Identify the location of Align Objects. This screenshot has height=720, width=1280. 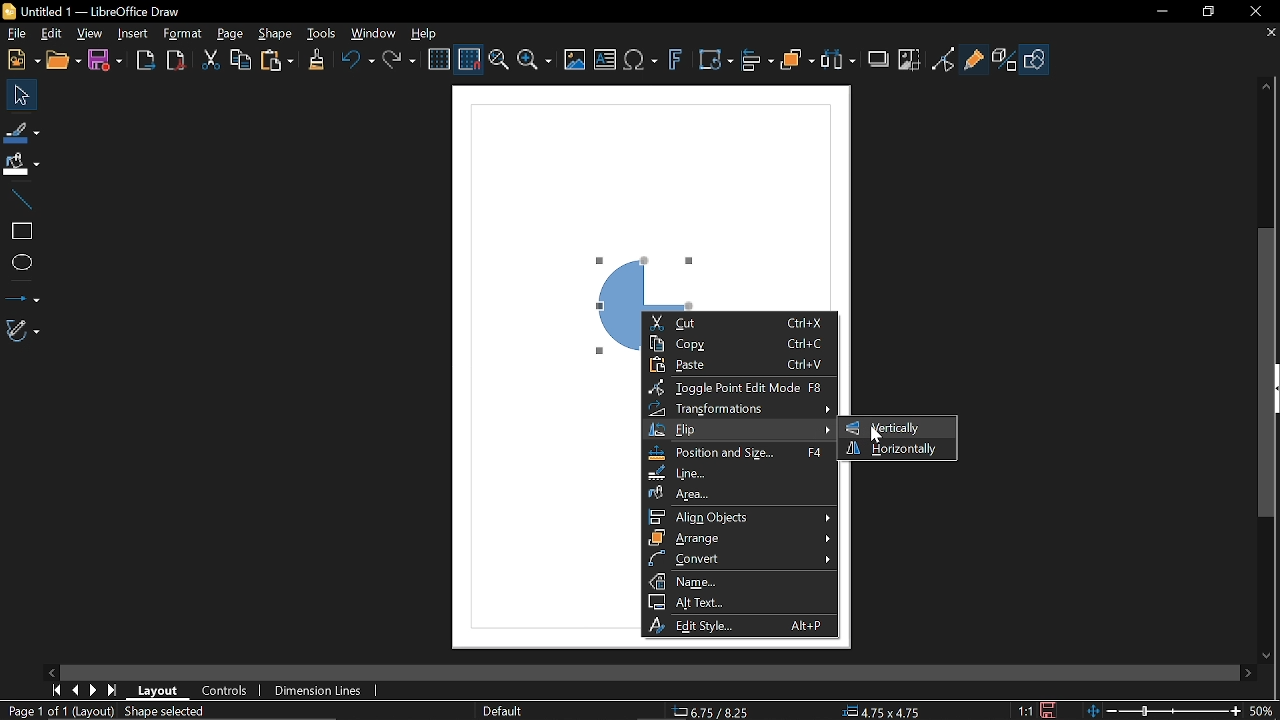
(739, 516).